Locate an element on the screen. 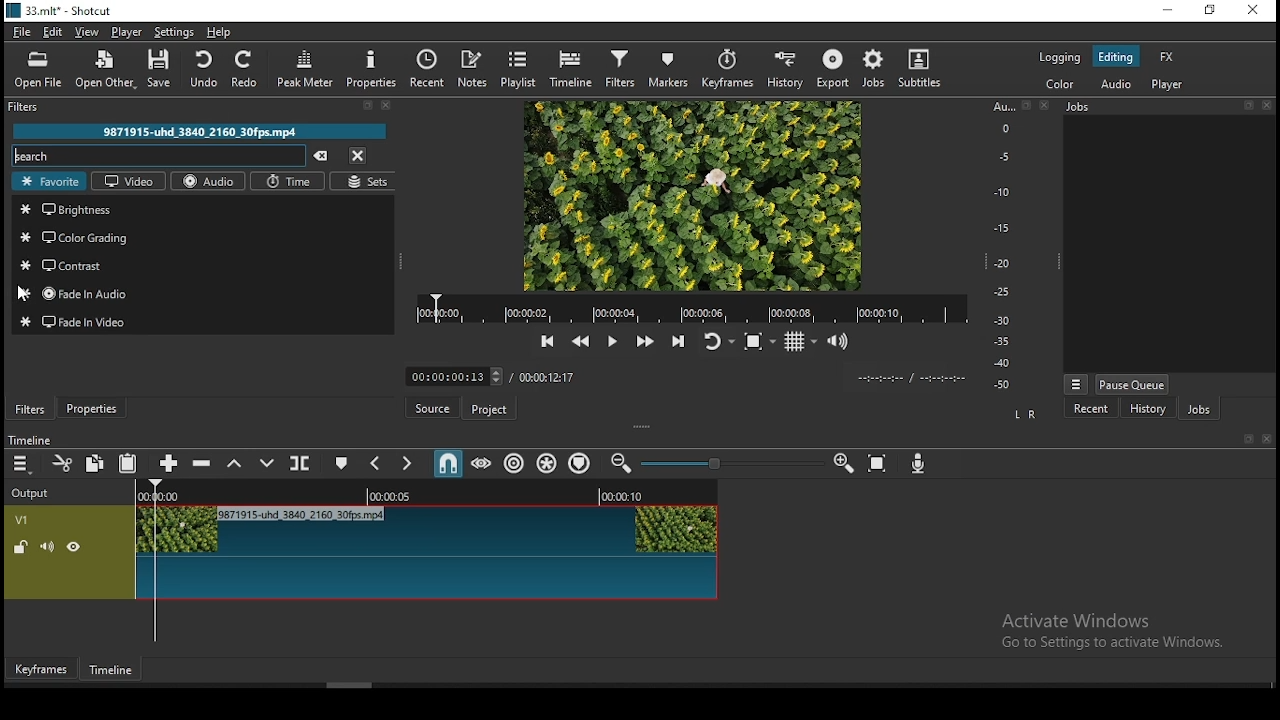 Image resolution: width=1280 pixels, height=720 pixels. ripple delete is located at coordinates (203, 462).